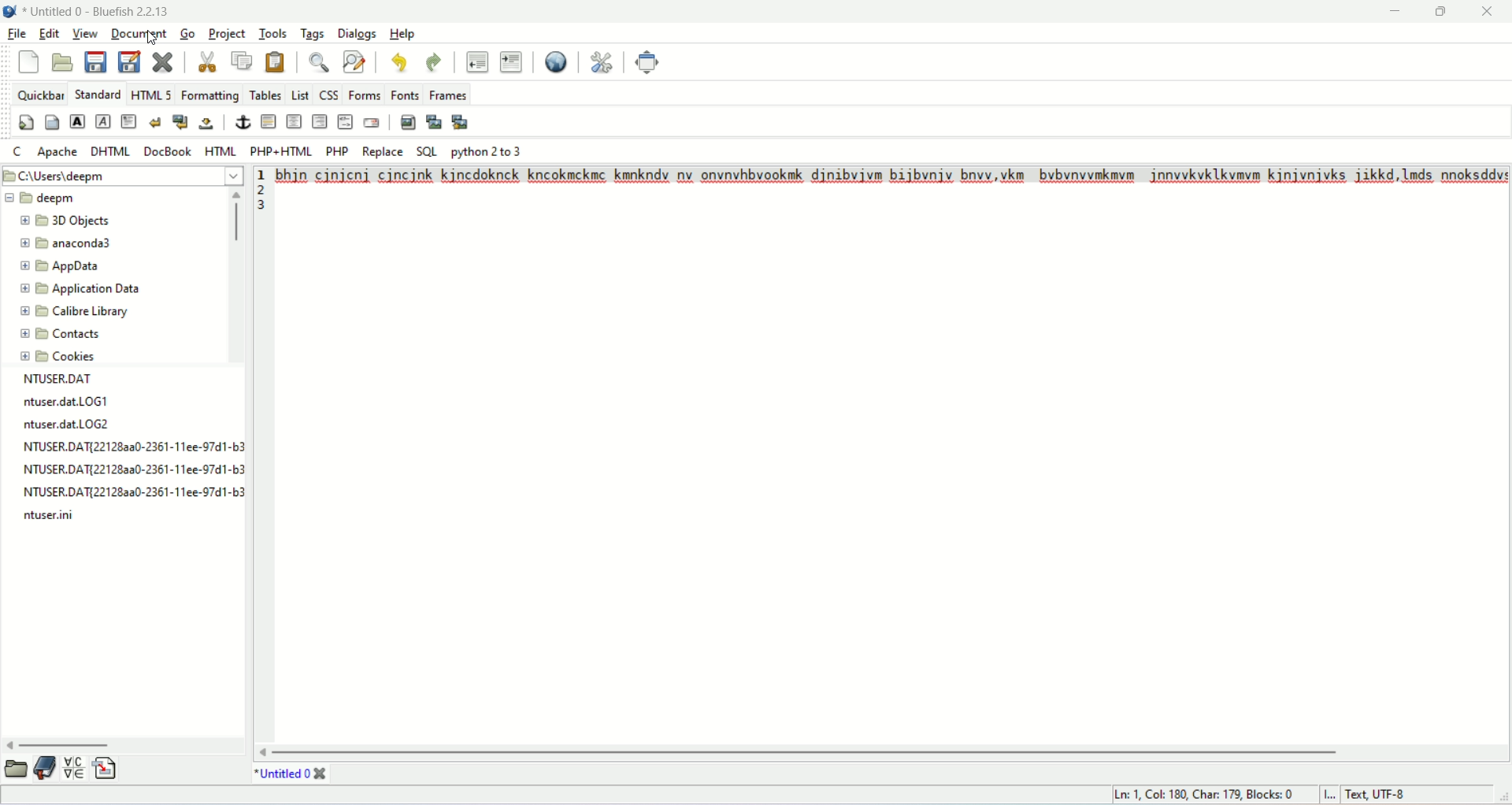  Describe the element at coordinates (158, 122) in the screenshot. I see `break` at that location.